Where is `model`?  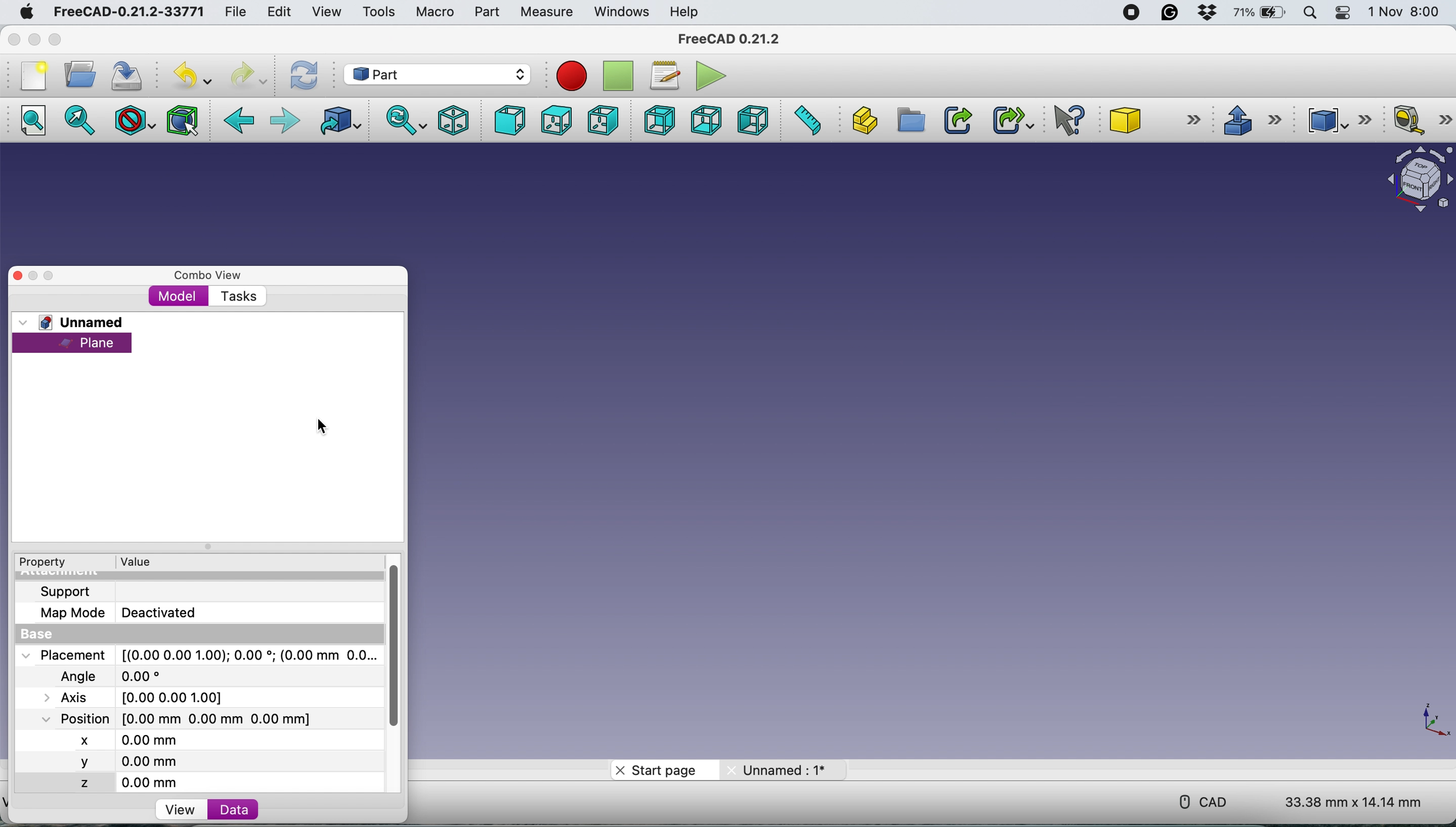
model is located at coordinates (175, 295).